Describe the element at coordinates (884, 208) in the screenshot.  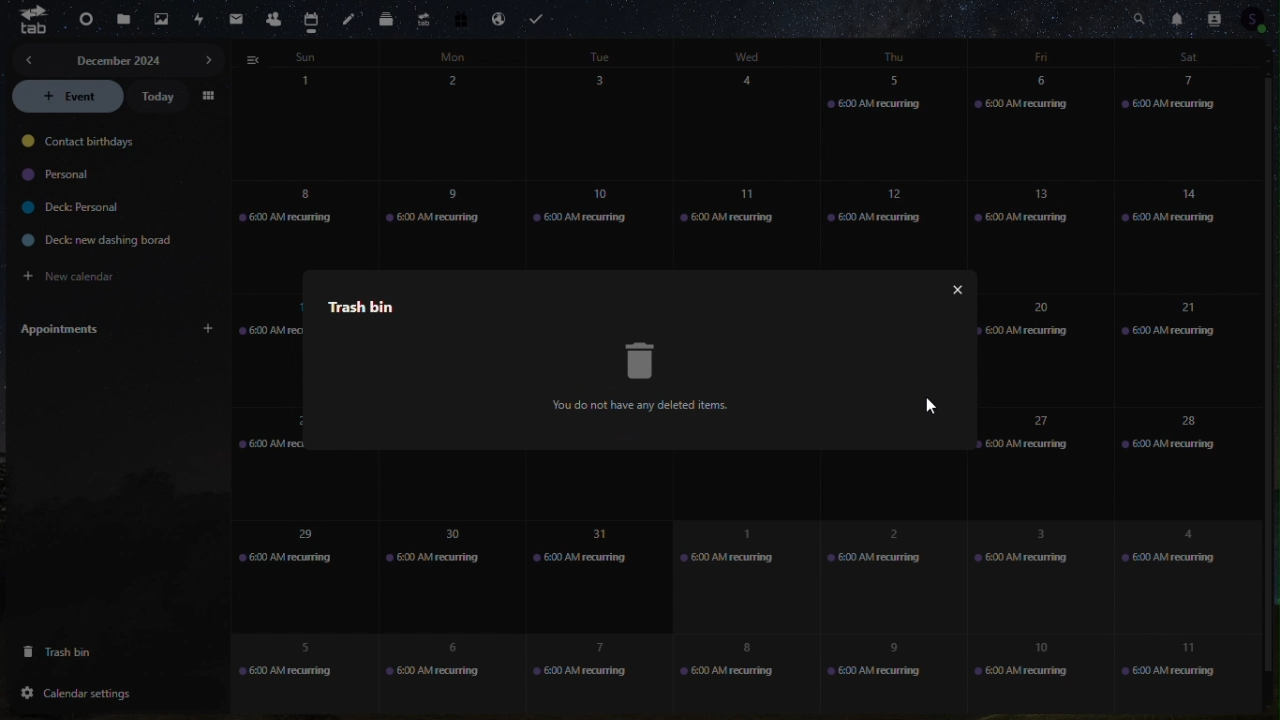
I see `12` at that location.